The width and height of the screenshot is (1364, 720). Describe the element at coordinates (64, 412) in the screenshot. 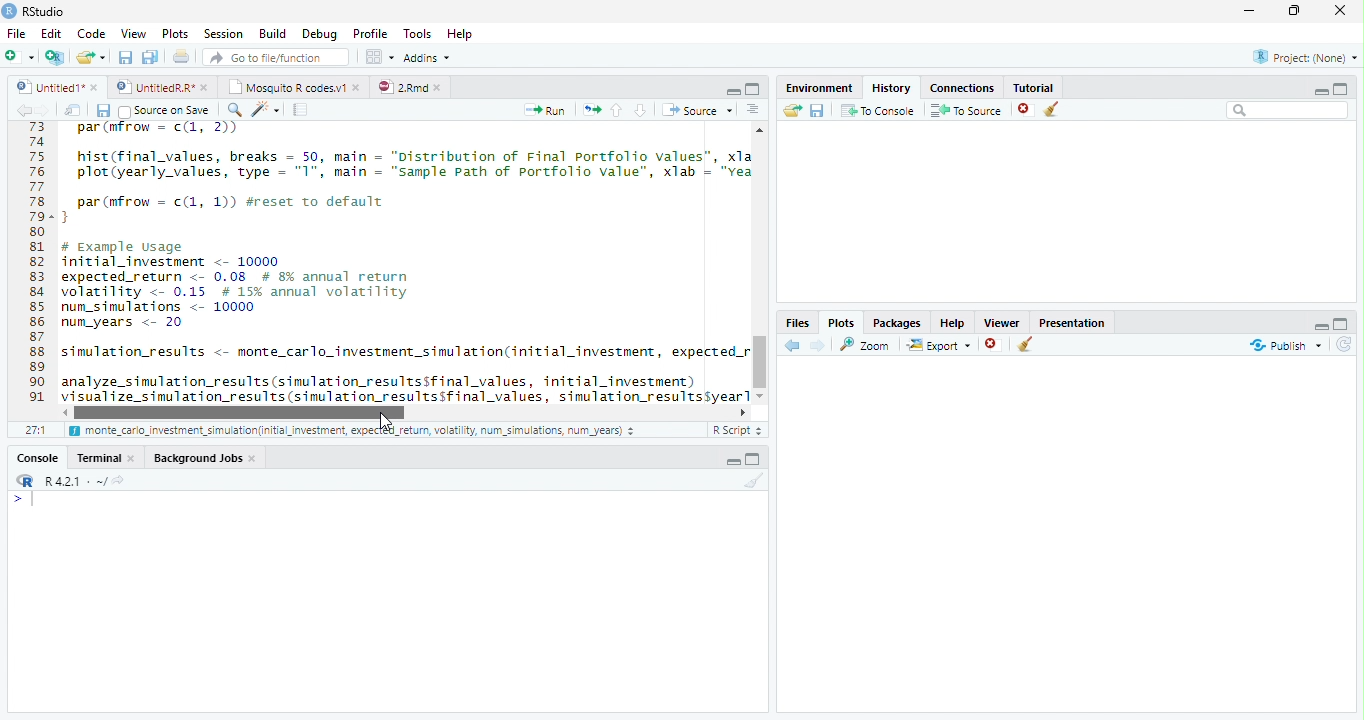

I see `Scroll Left` at that location.